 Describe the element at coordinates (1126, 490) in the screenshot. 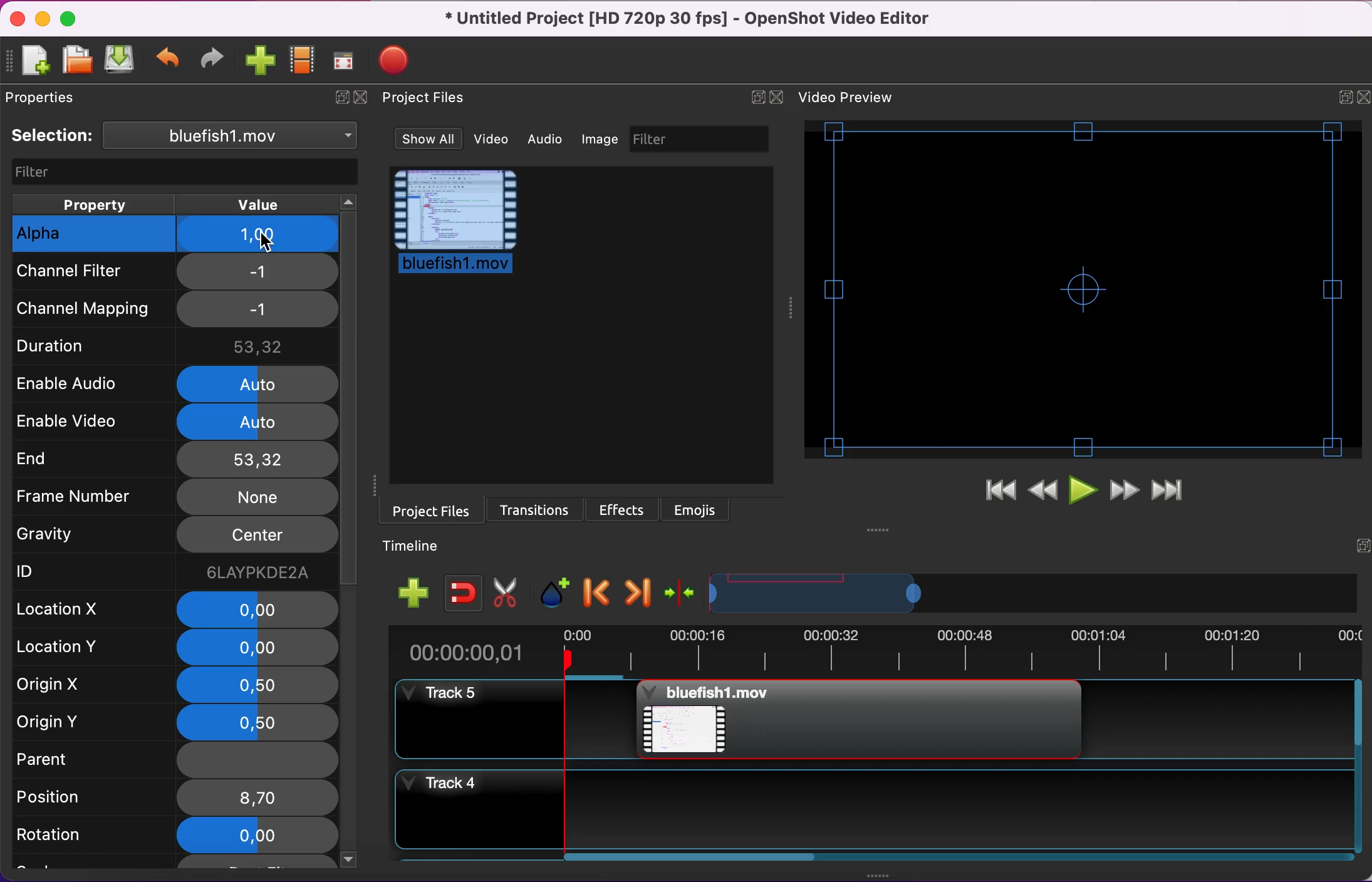

I see `fast forward` at that location.